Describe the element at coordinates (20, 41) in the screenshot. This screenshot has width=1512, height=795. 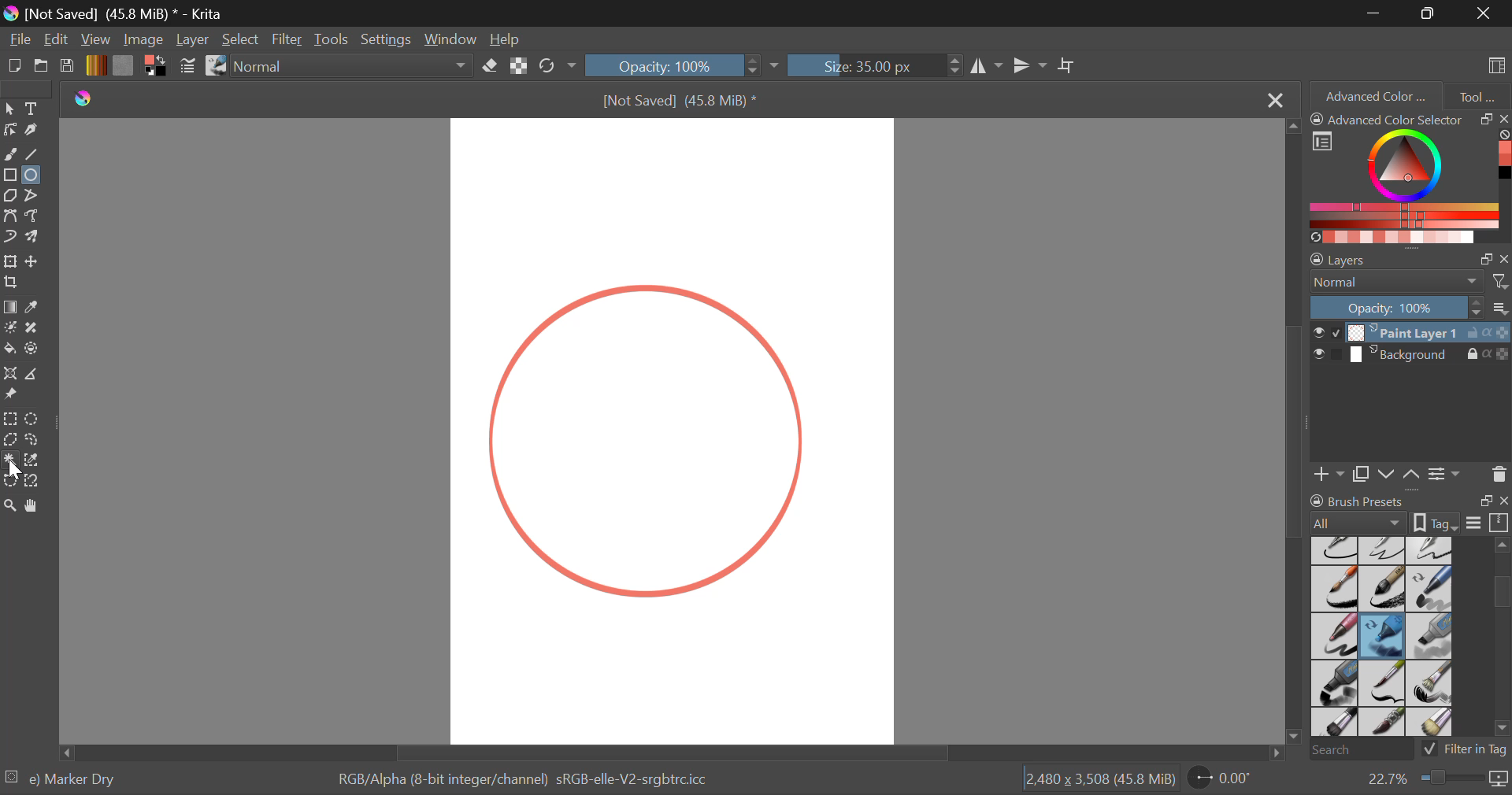
I see `File` at that location.